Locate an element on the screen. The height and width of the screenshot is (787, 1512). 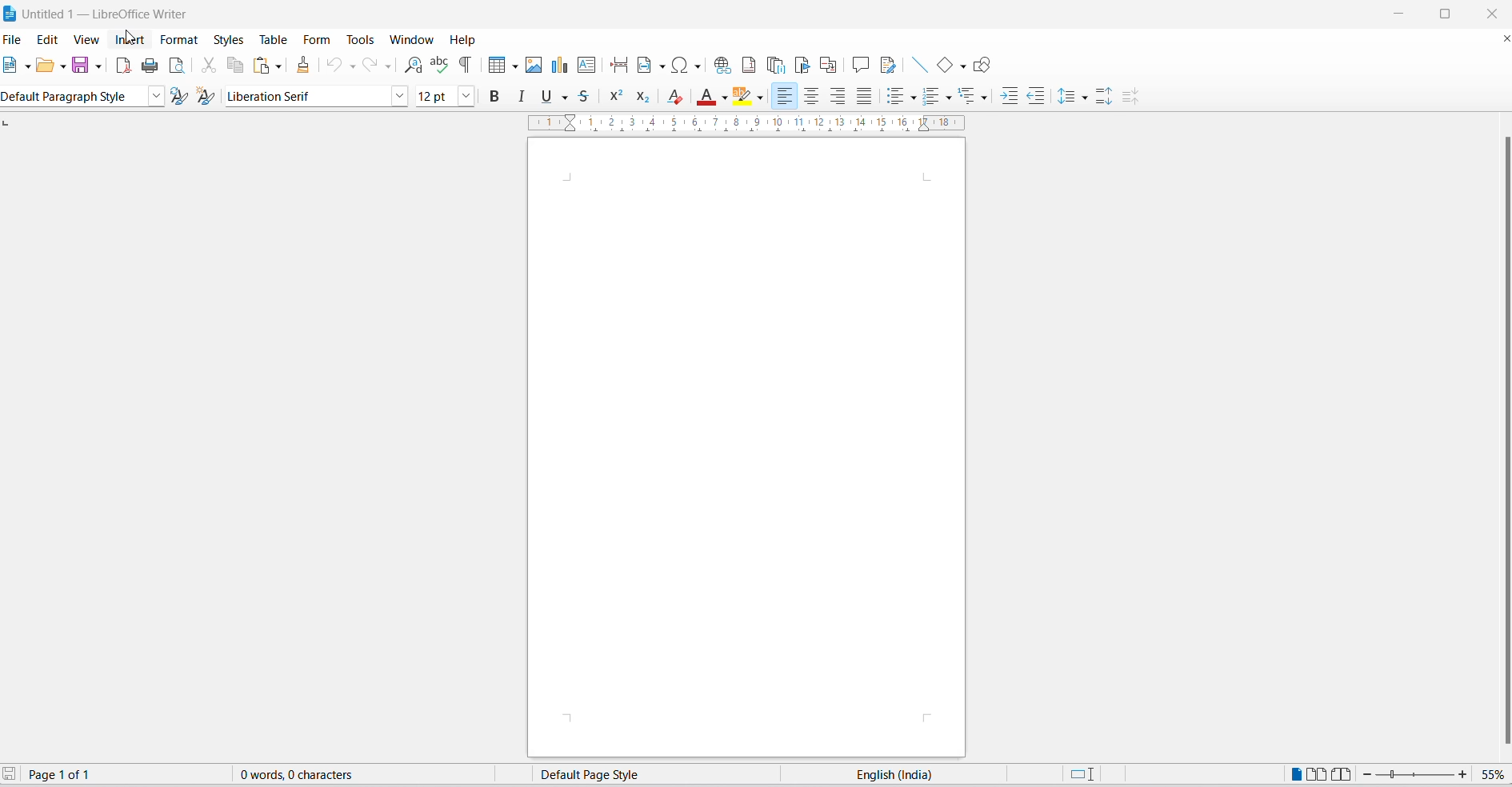
table is located at coordinates (273, 38).